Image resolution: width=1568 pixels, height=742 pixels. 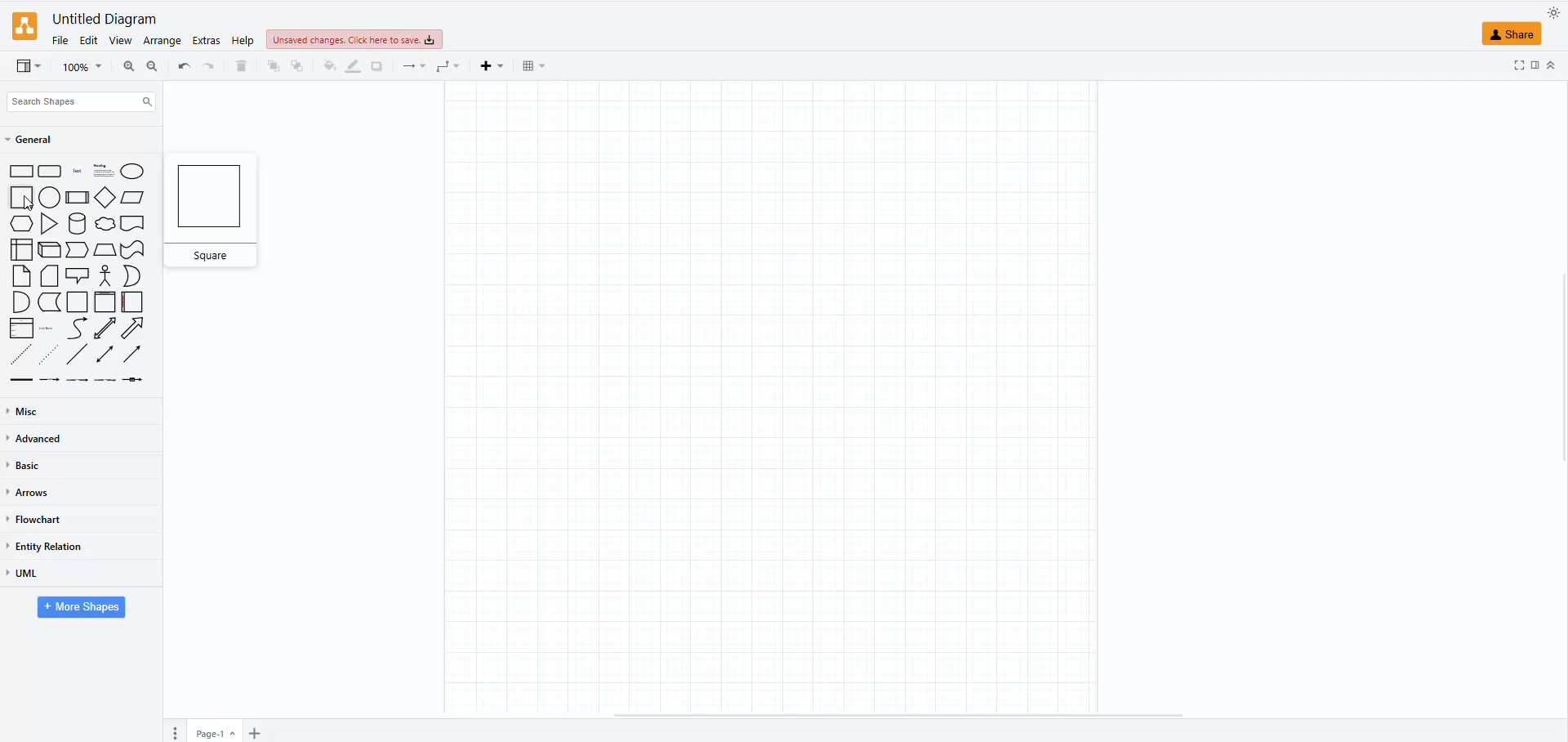 What do you see at coordinates (22, 354) in the screenshot?
I see `dashed line` at bounding box center [22, 354].